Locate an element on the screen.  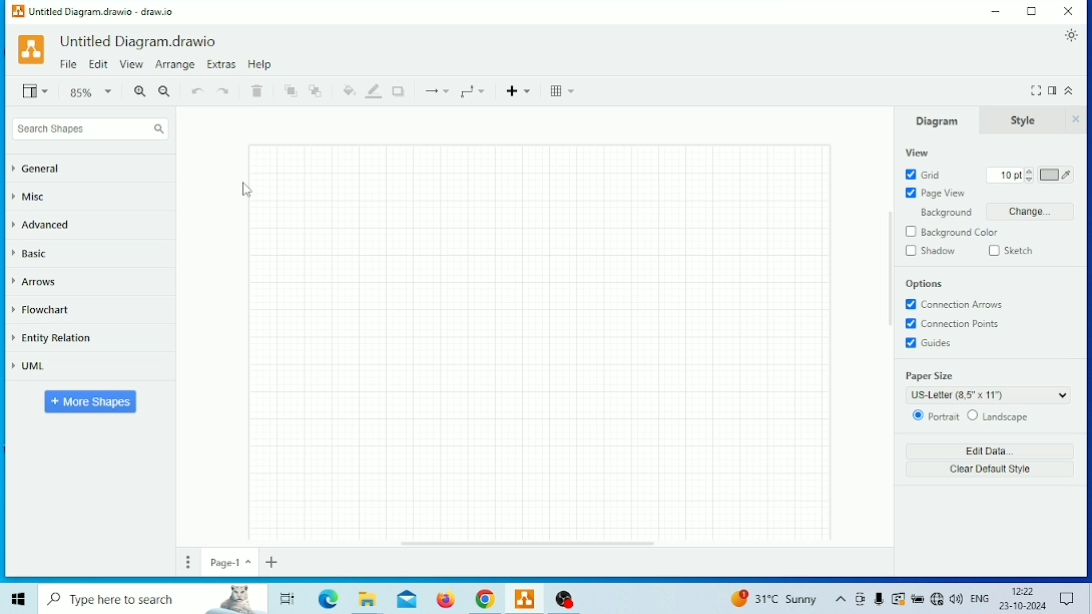
To Back is located at coordinates (316, 91).